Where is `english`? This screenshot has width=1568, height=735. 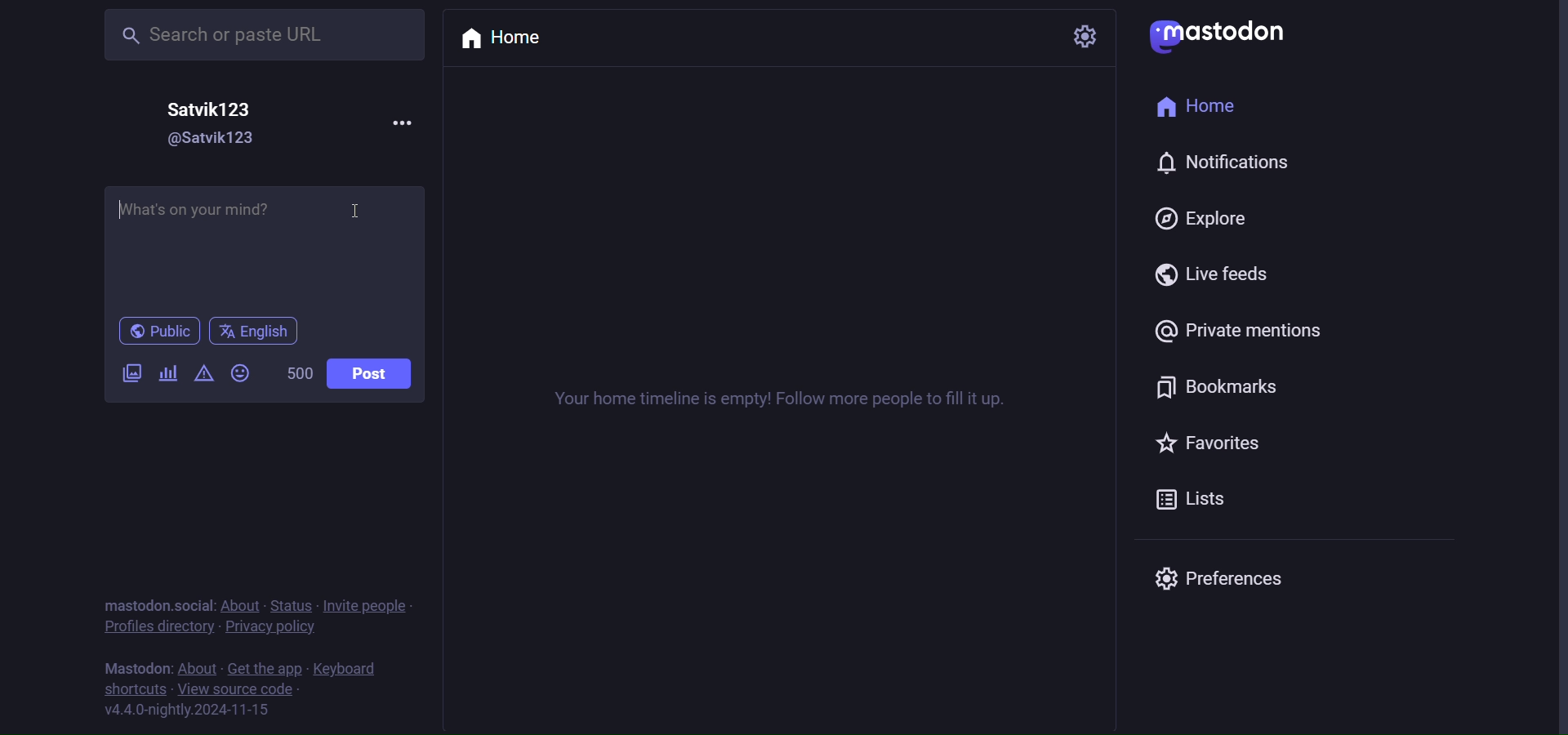
english is located at coordinates (252, 332).